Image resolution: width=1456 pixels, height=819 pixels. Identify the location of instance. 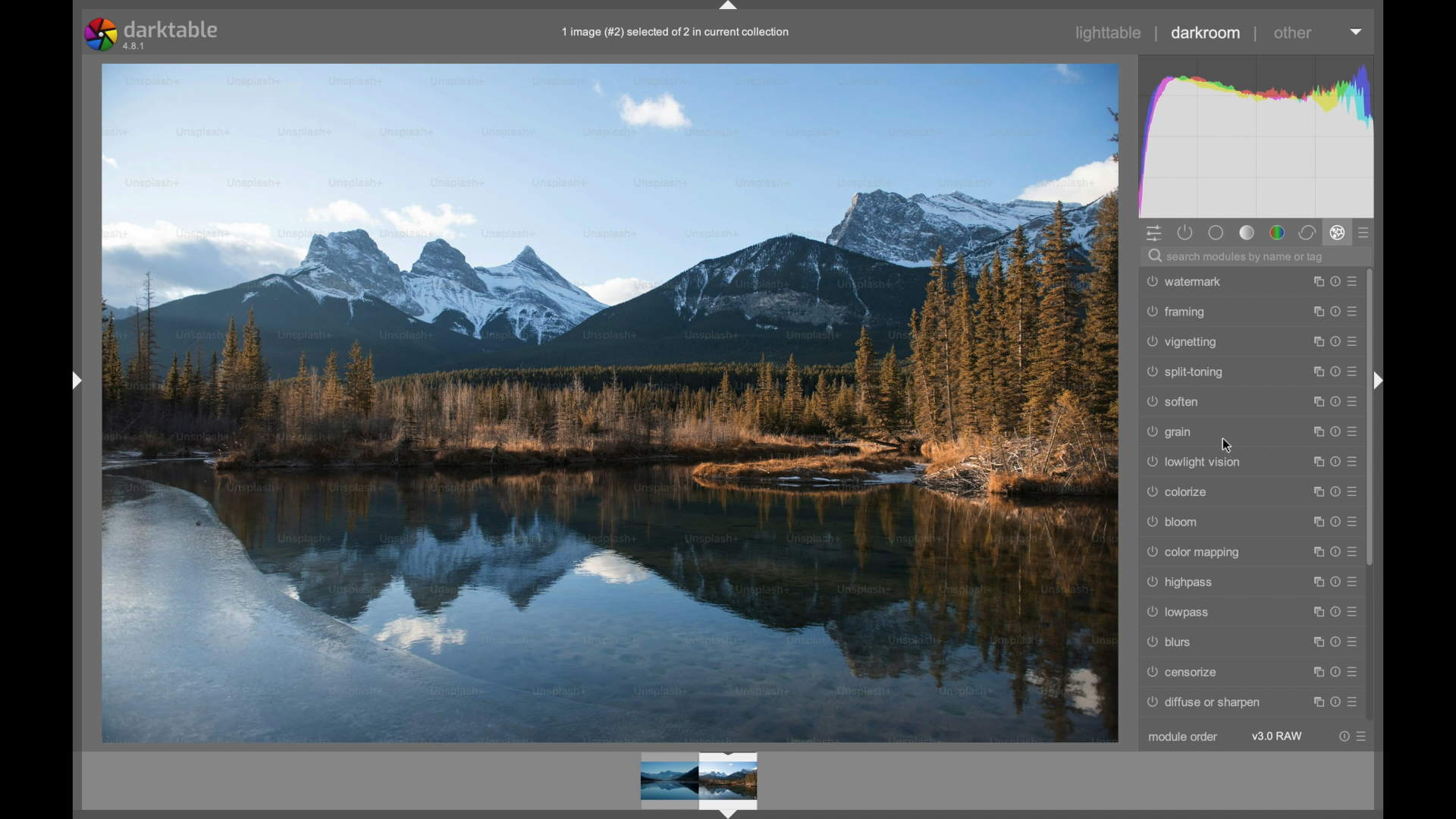
(1314, 642).